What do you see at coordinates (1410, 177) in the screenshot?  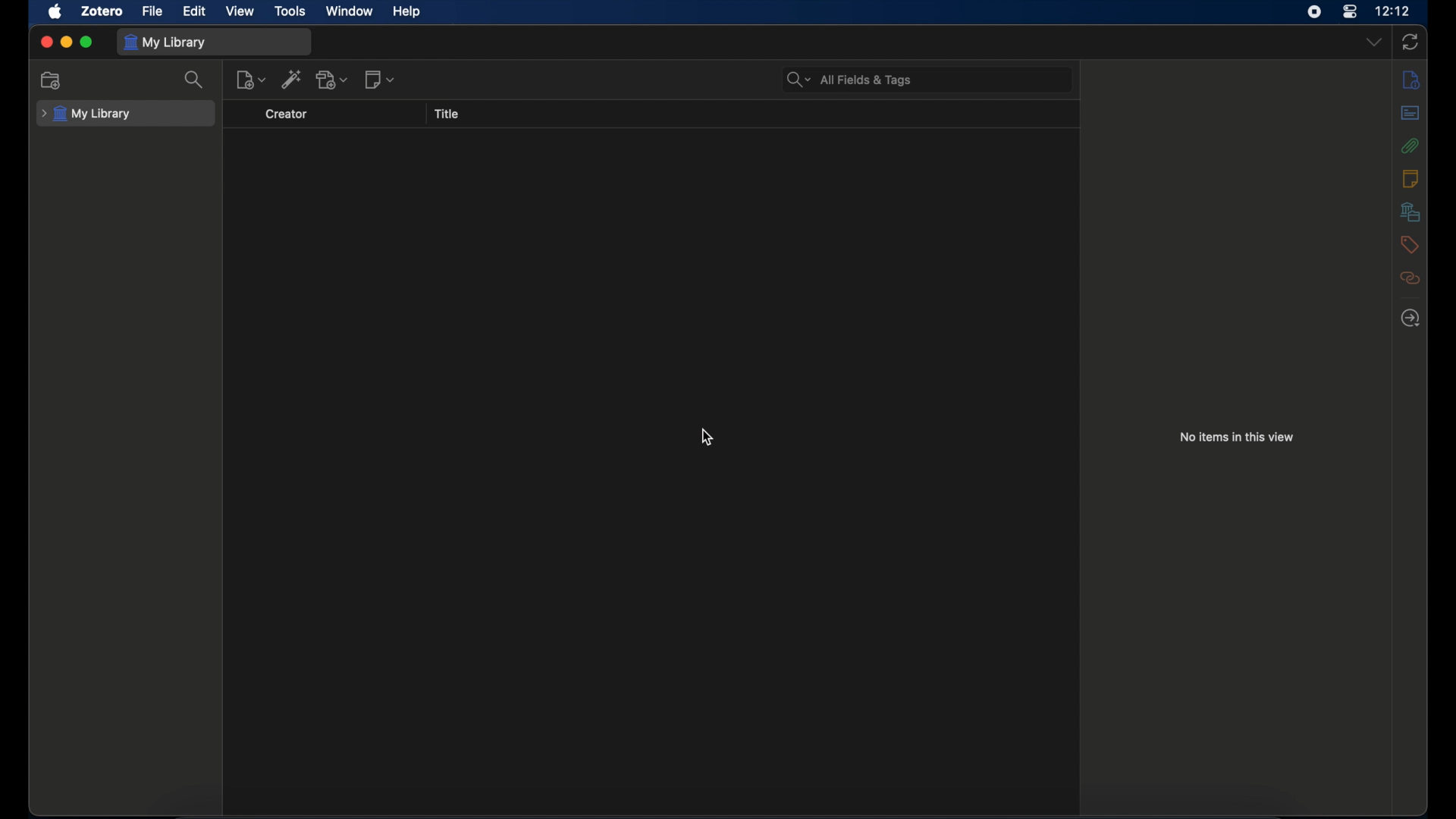 I see `notes` at bounding box center [1410, 177].